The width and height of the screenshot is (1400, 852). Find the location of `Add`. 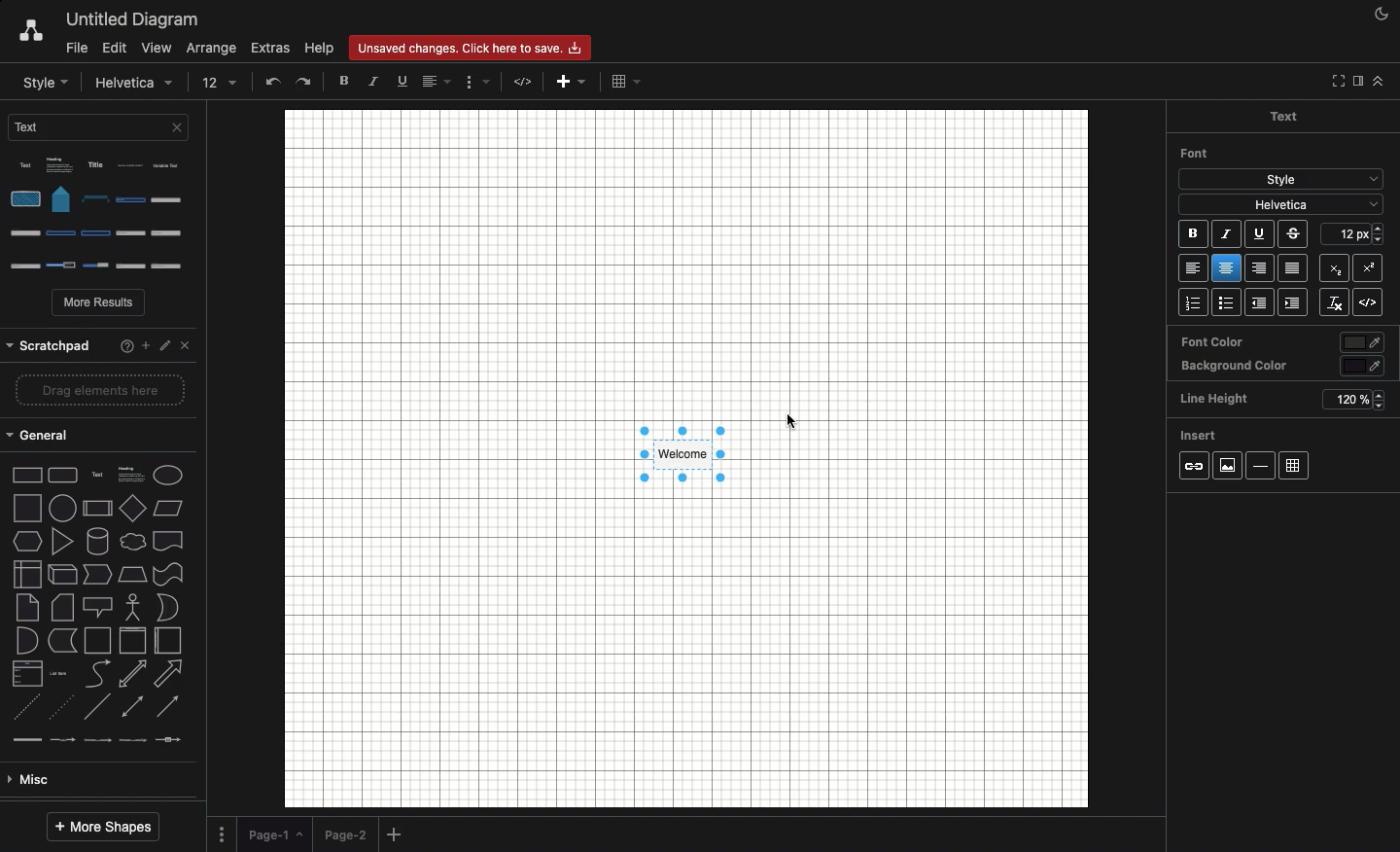

Add is located at coordinates (620, 85).